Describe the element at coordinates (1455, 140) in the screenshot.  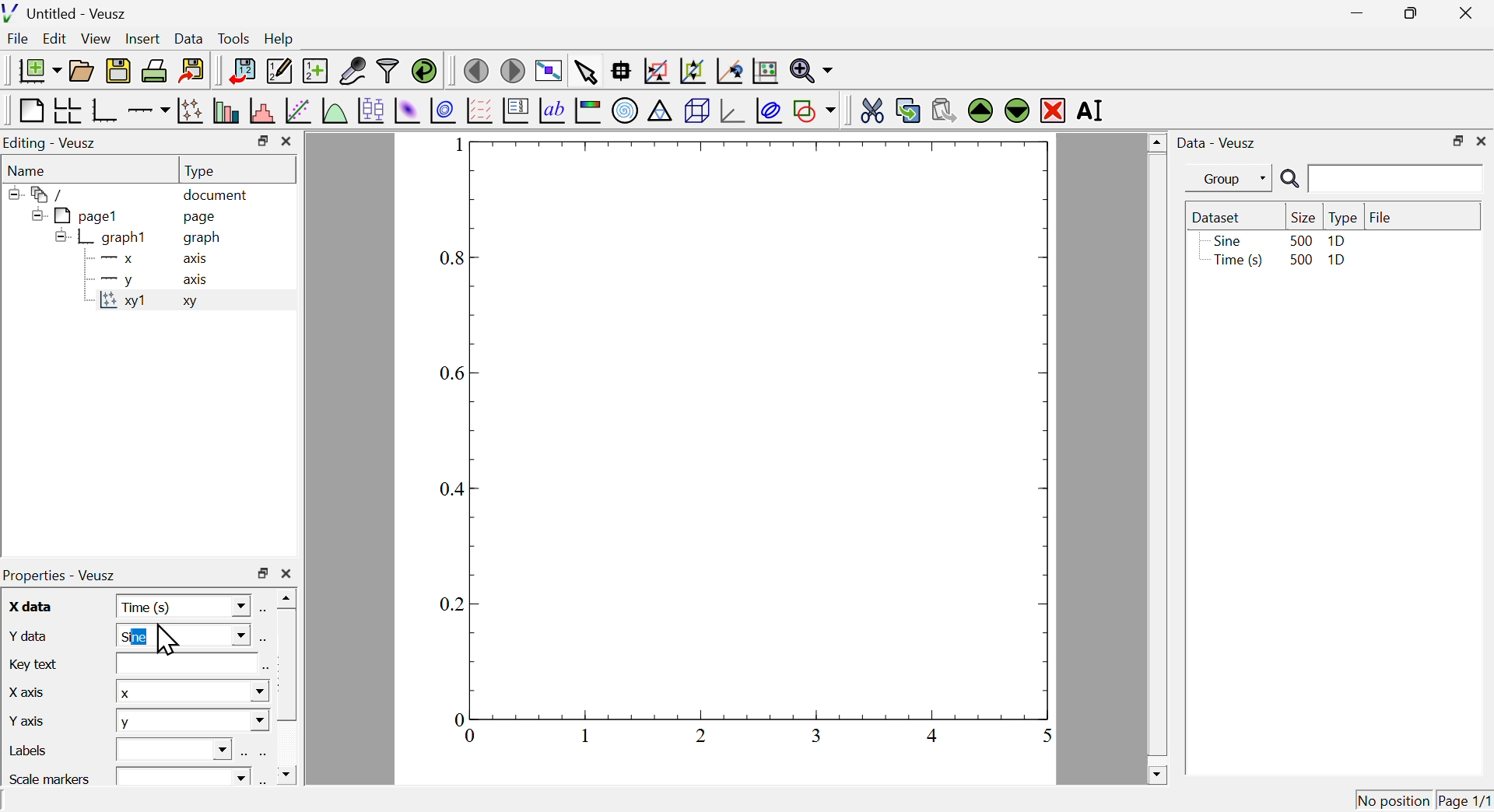
I see `maximize` at that location.